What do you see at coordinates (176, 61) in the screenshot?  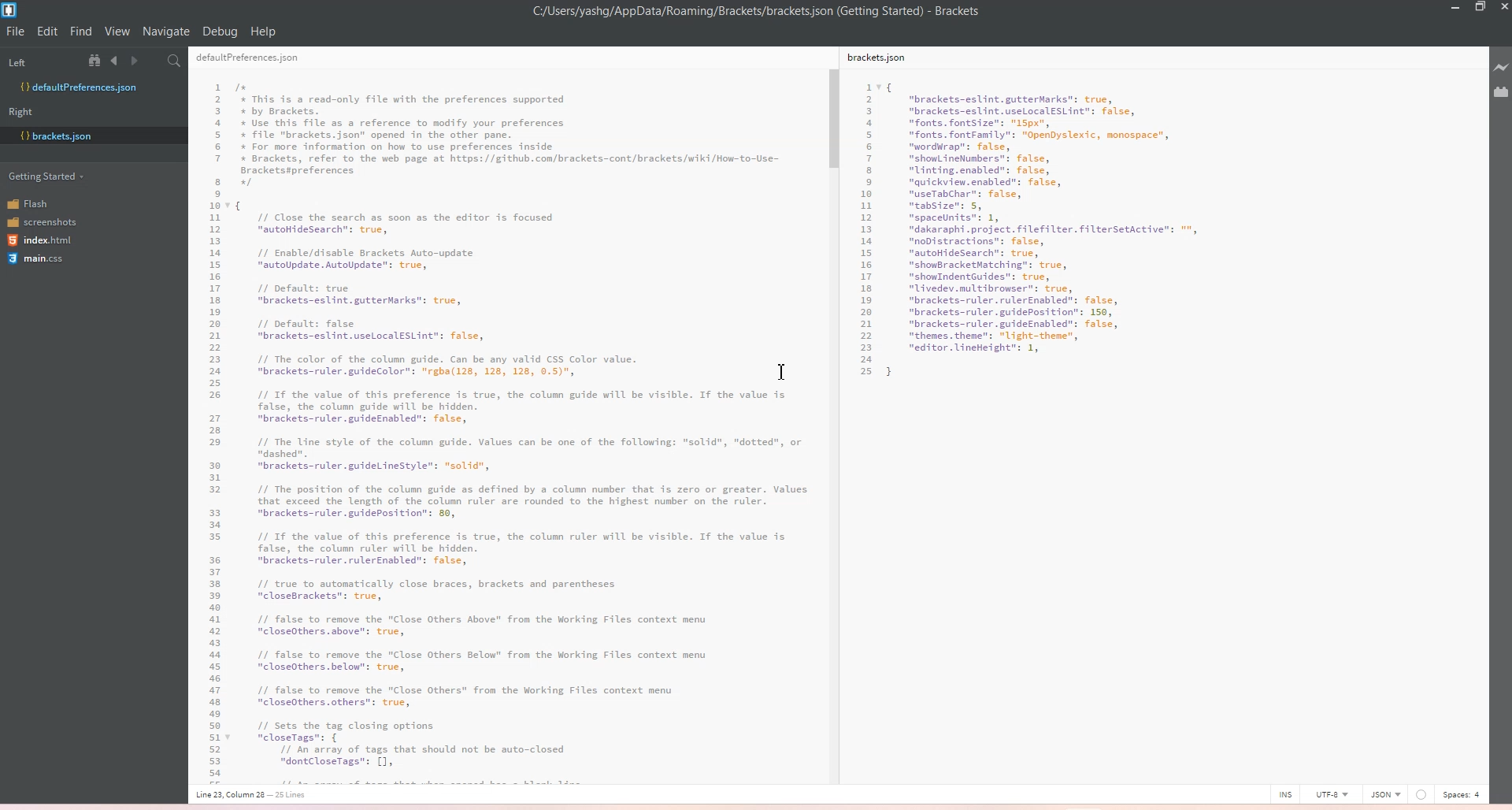 I see `Find in Files` at bounding box center [176, 61].